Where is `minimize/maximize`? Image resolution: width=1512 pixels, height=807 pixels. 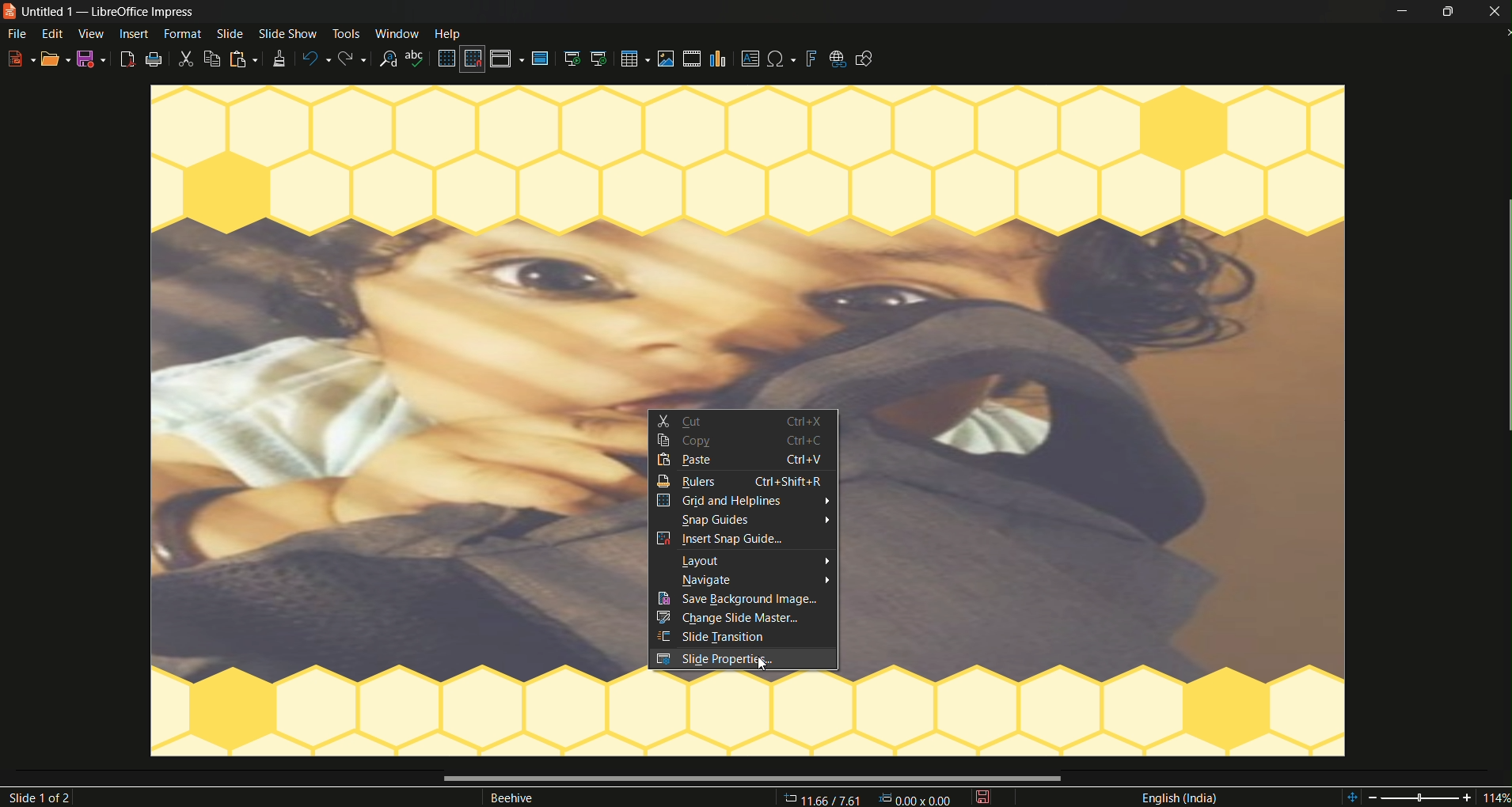 minimize/maximize is located at coordinates (1449, 12).